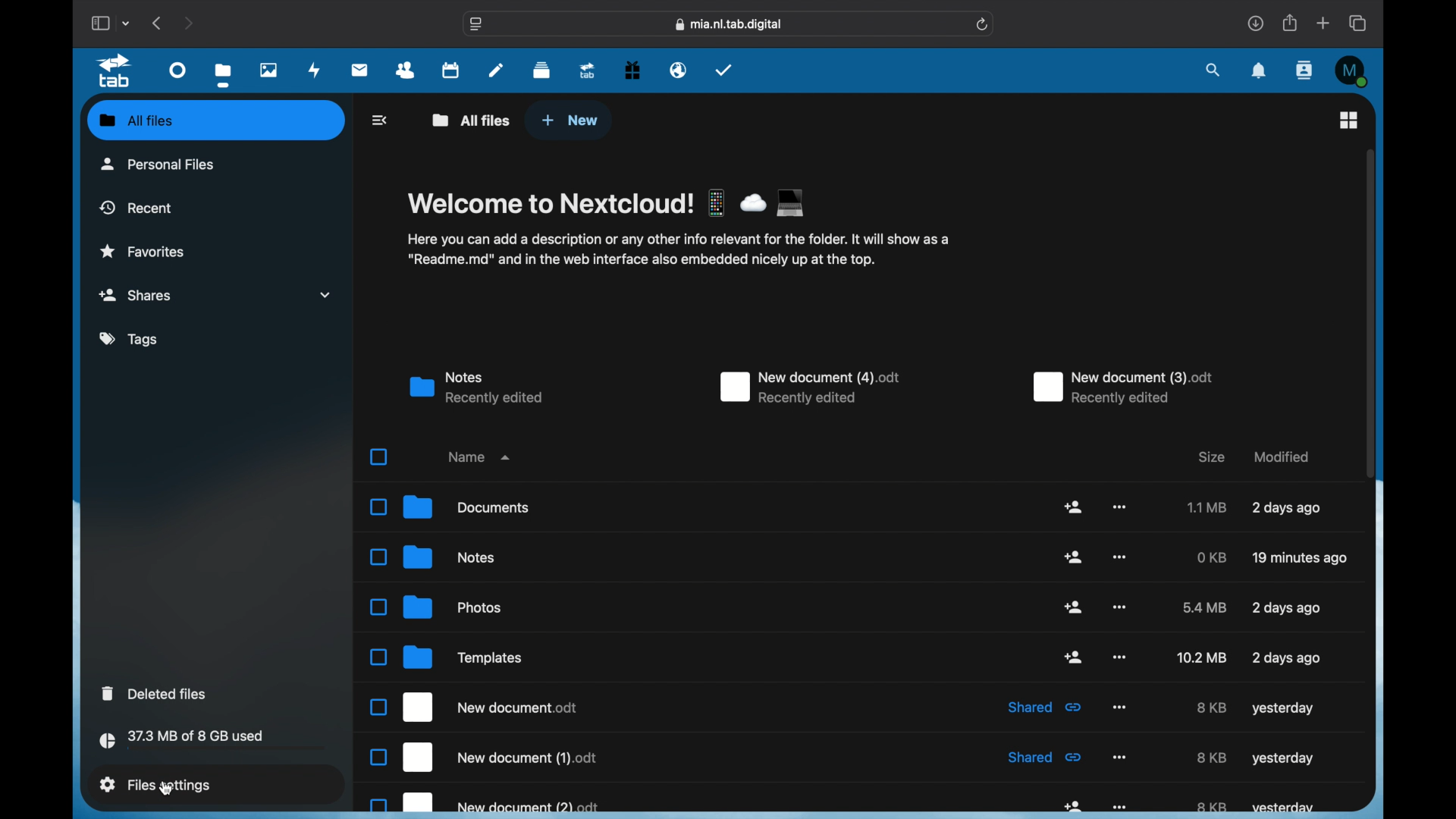 The image size is (1456, 819). Describe the element at coordinates (436, 607) in the screenshot. I see `photos` at that location.